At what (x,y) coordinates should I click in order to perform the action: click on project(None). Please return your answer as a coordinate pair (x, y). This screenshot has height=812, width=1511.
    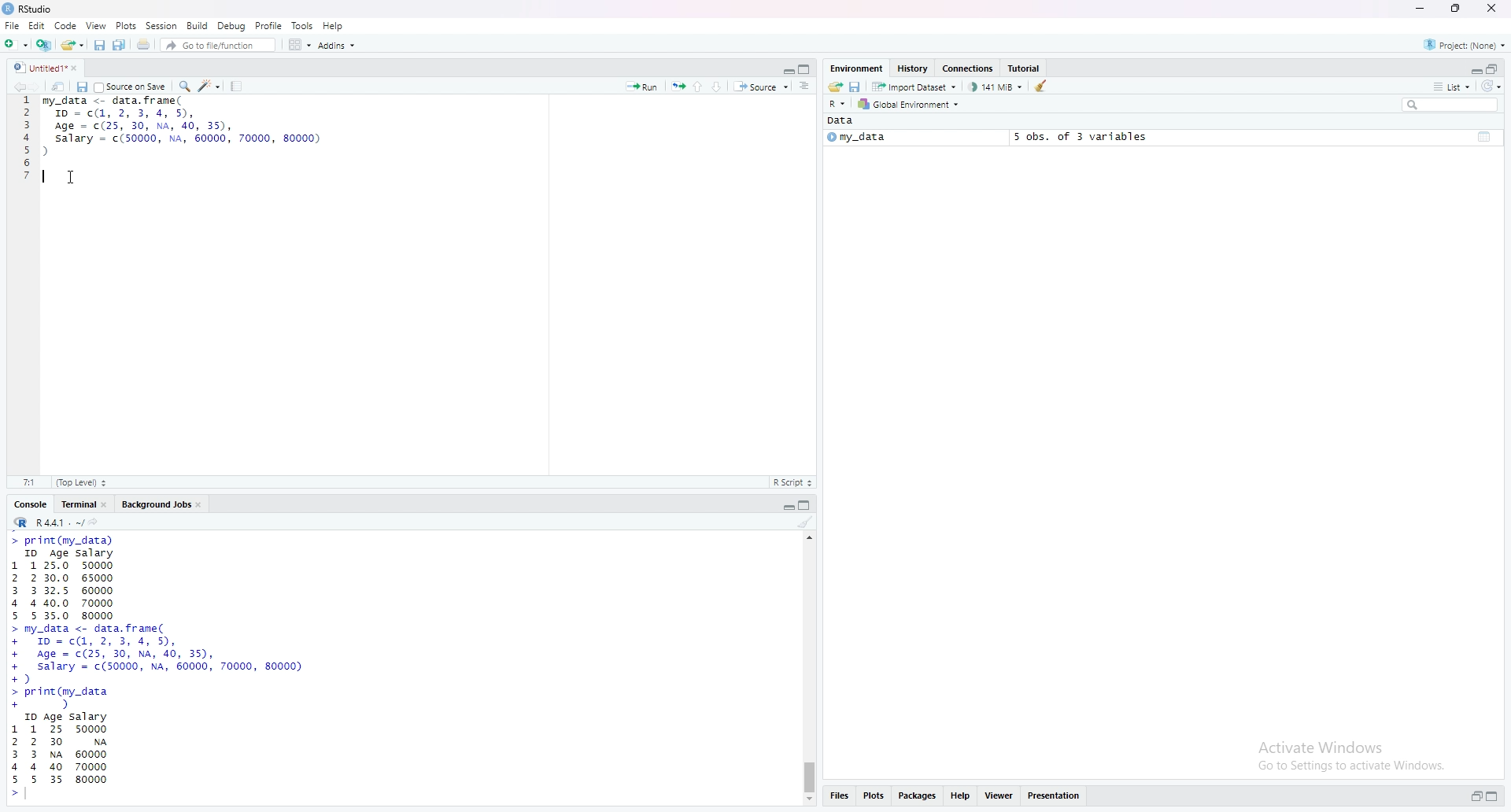
    Looking at the image, I should click on (1467, 47).